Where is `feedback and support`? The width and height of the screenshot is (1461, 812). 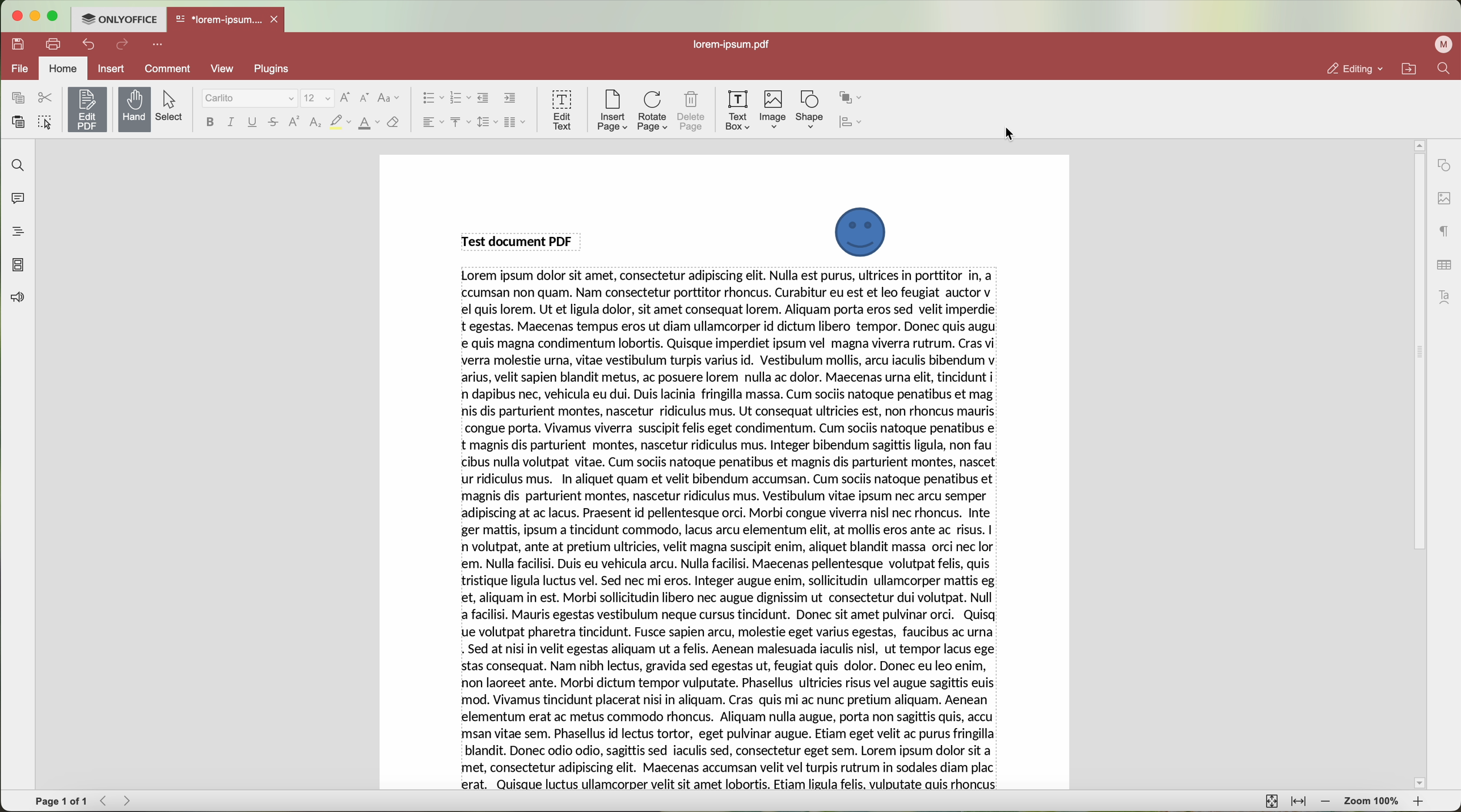 feedback and support is located at coordinates (18, 298).